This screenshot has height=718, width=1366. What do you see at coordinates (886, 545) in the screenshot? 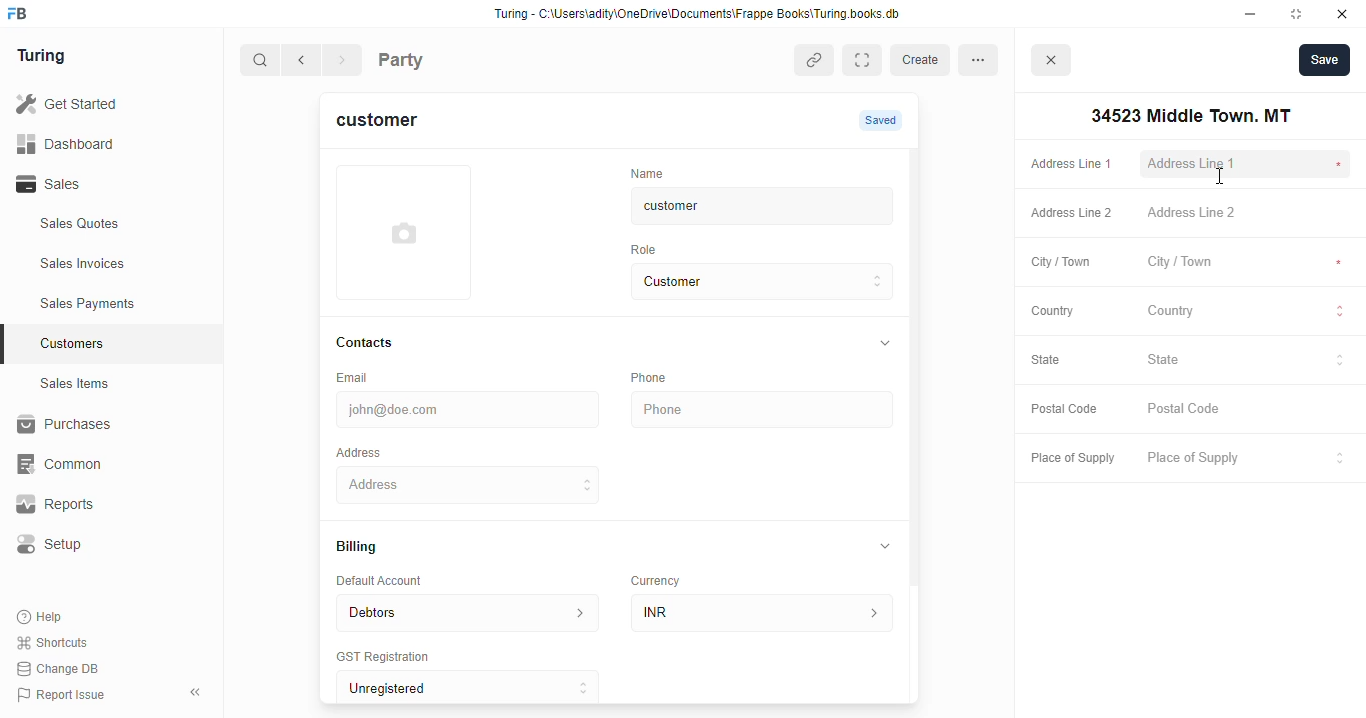
I see `collapse` at bounding box center [886, 545].